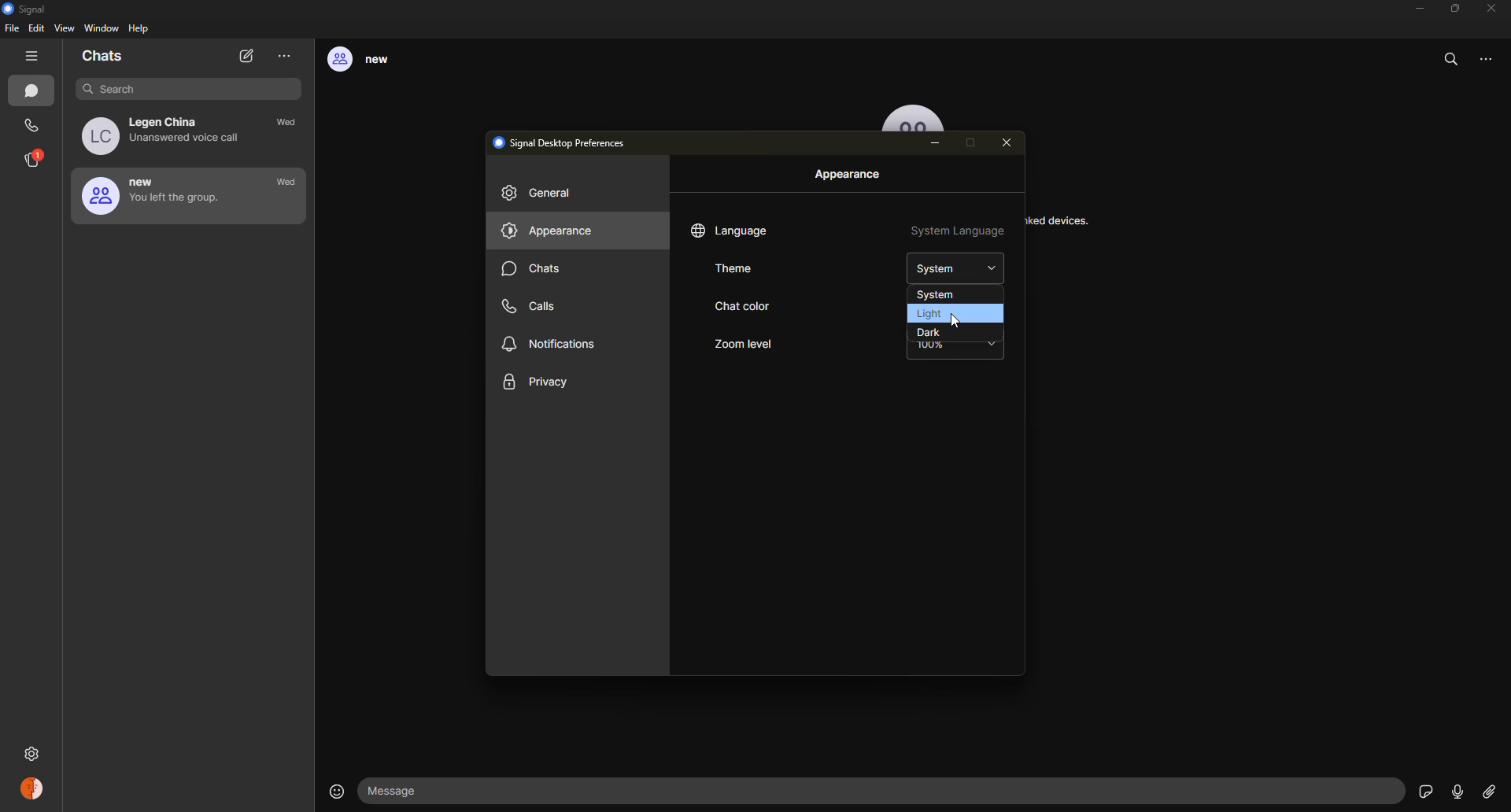 This screenshot has height=812, width=1511. What do you see at coordinates (1457, 792) in the screenshot?
I see `record` at bounding box center [1457, 792].